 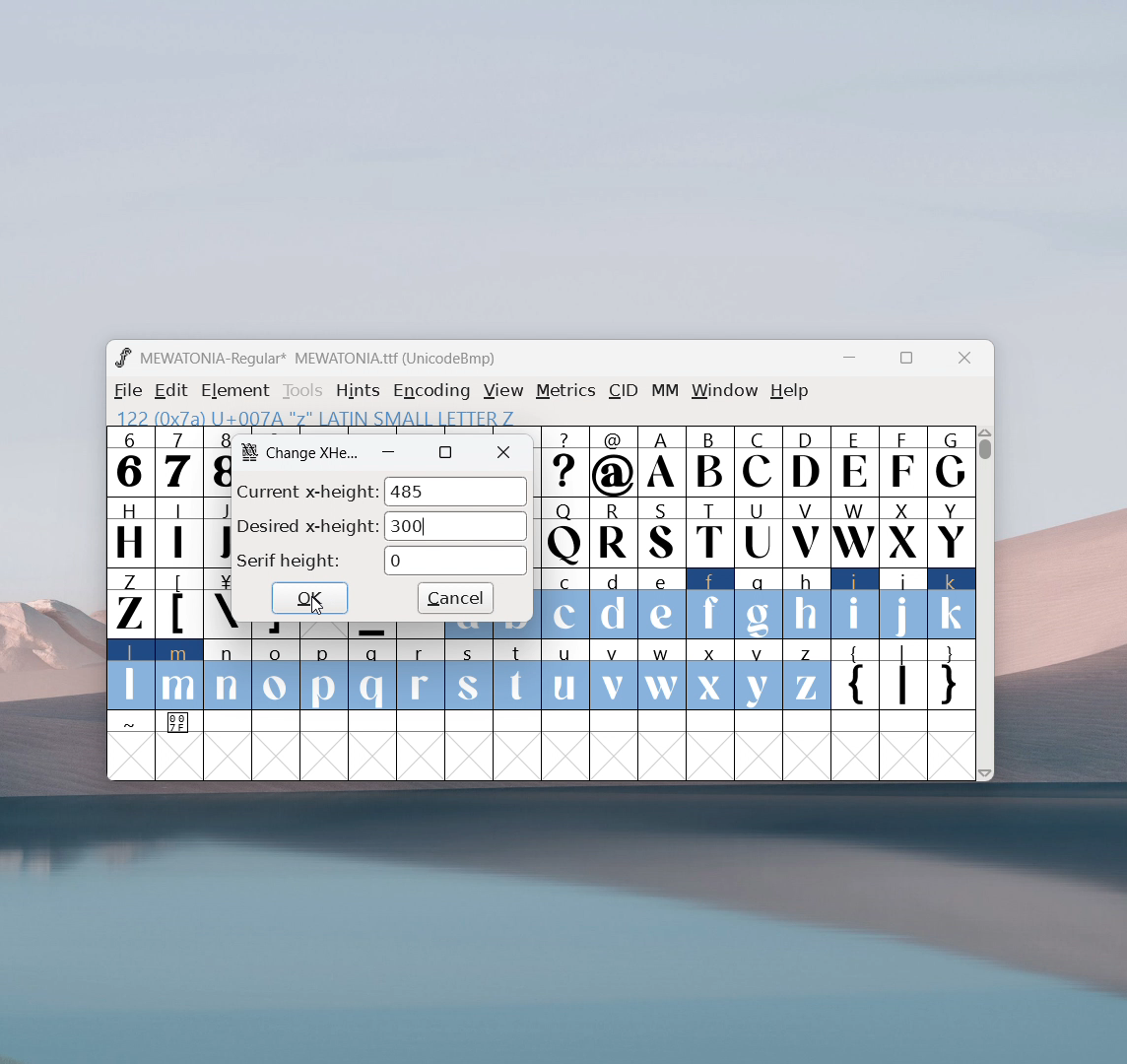 What do you see at coordinates (235, 391) in the screenshot?
I see `element` at bounding box center [235, 391].